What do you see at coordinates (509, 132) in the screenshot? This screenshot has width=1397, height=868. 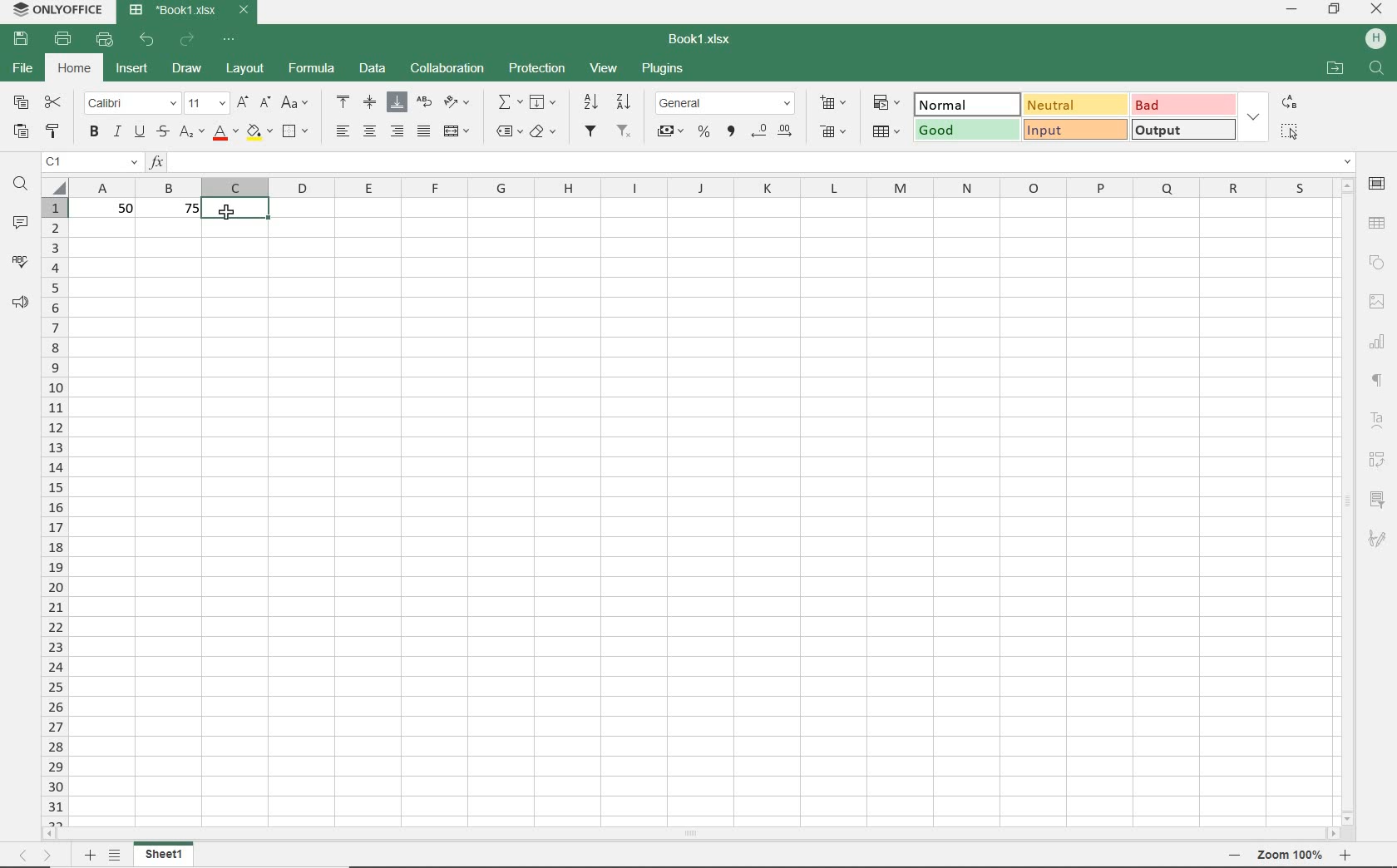 I see `named ranges` at bounding box center [509, 132].